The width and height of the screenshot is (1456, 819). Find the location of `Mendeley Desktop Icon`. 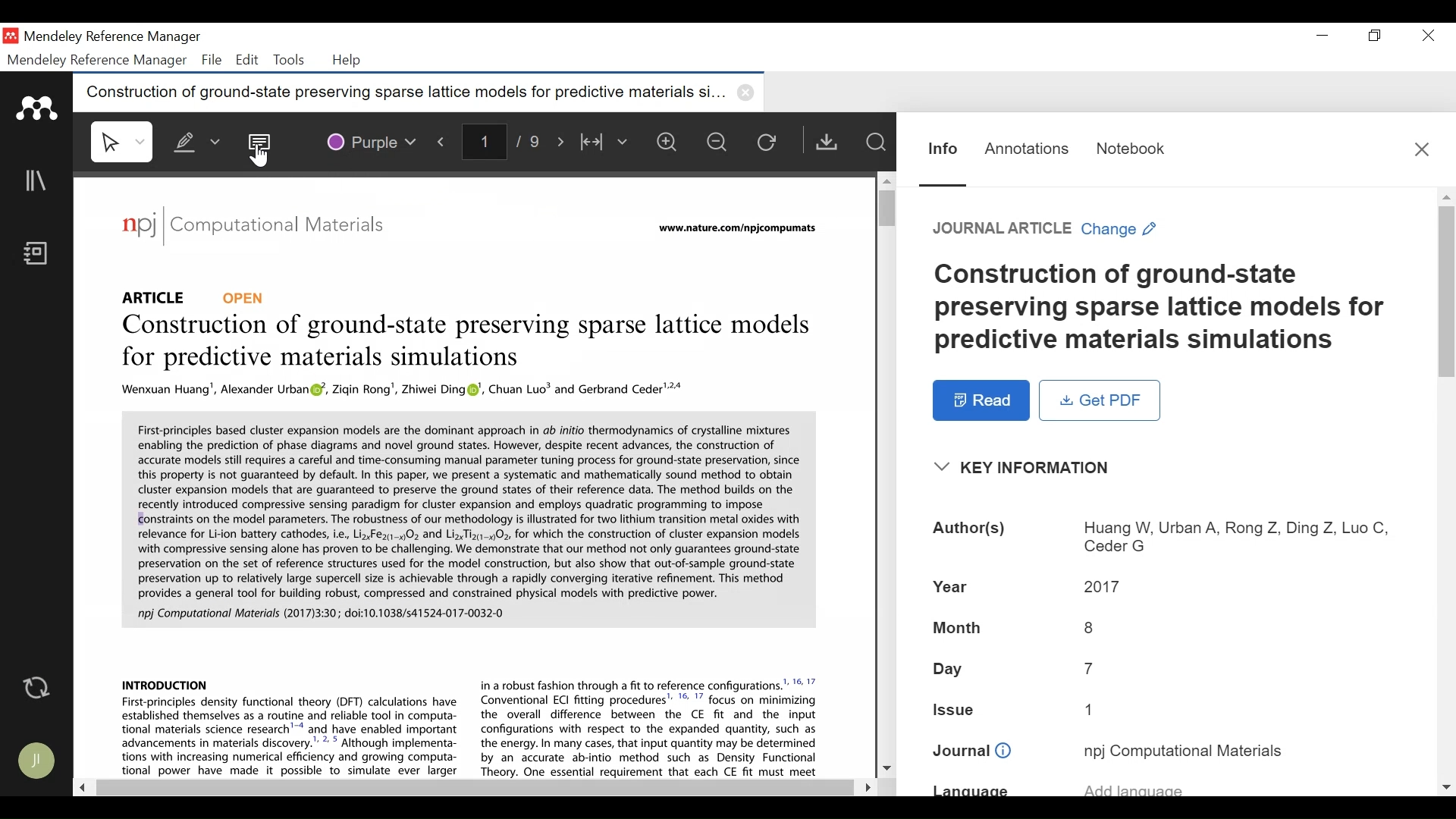

Mendeley Desktop Icon is located at coordinates (11, 36).